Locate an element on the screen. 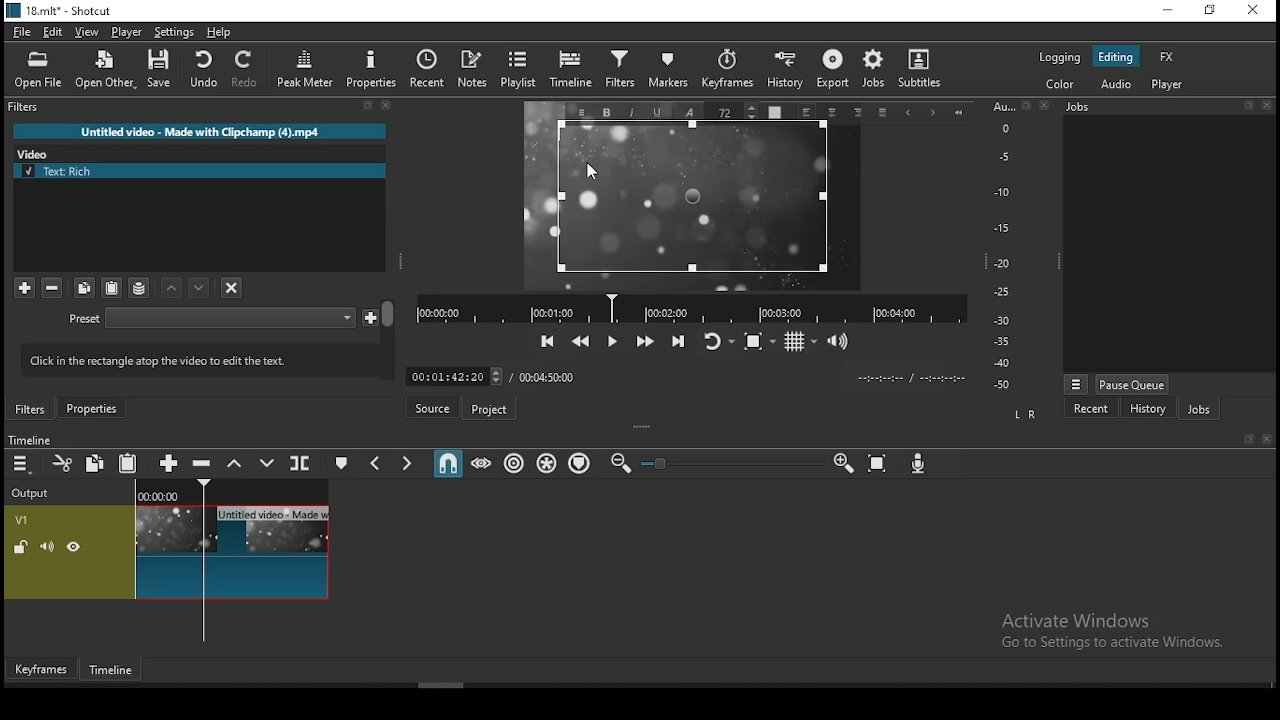  Previous is located at coordinates (907, 114).